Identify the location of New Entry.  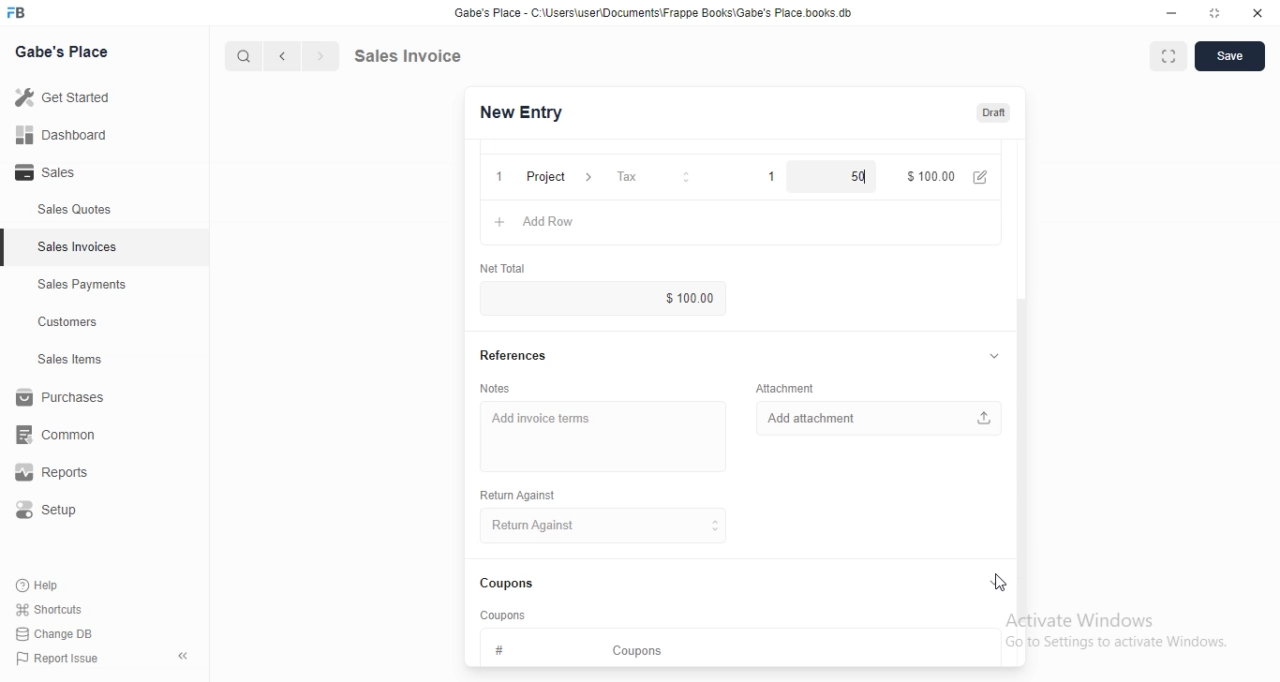
(528, 112).